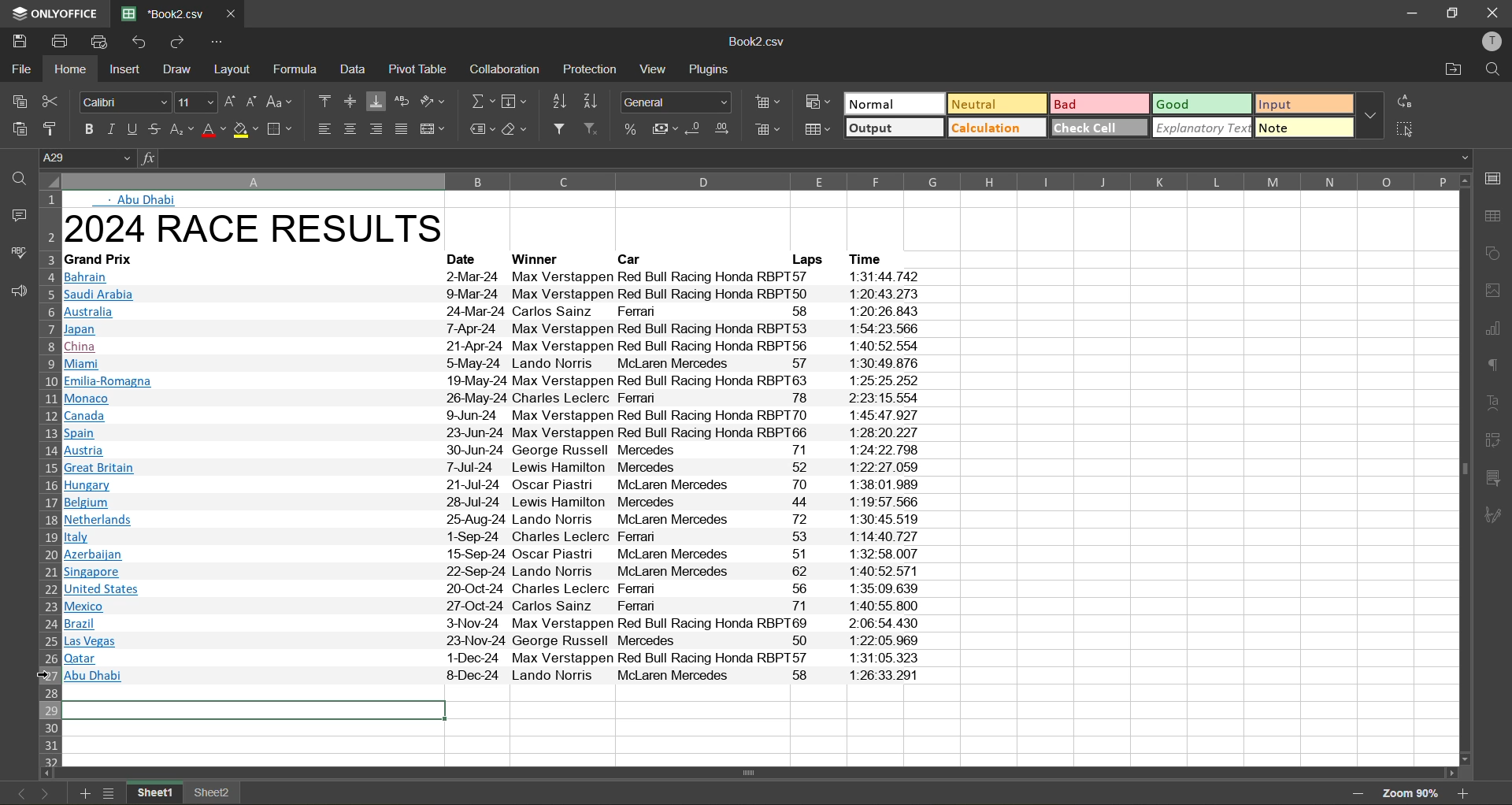 Image resolution: width=1512 pixels, height=805 pixels. What do you see at coordinates (55, 128) in the screenshot?
I see `copy style` at bounding box center [55, 128].